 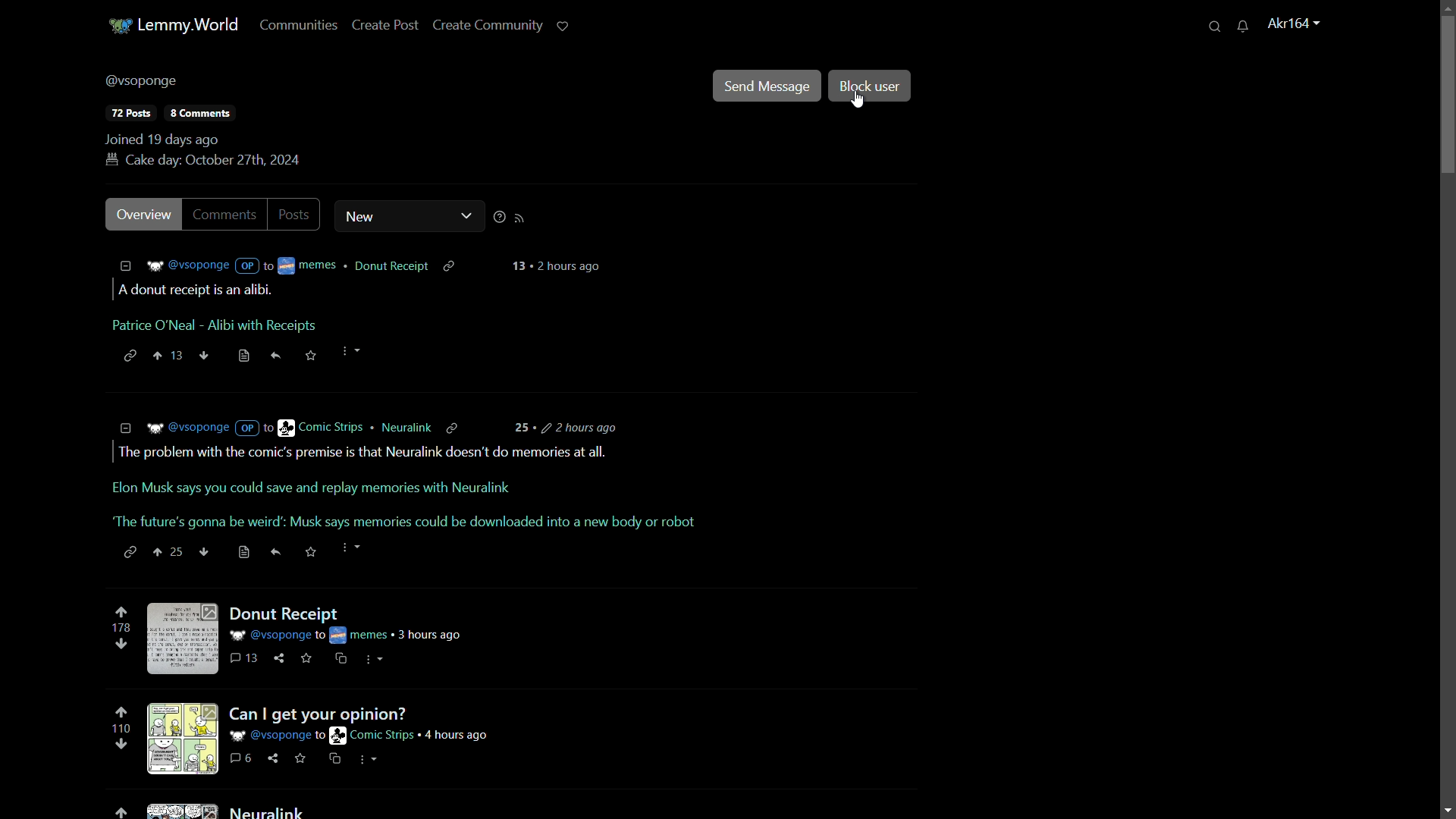 What do you see at coordinates (131, 553) in the screenshot?
I see `link` at bounding box center [131, 553].